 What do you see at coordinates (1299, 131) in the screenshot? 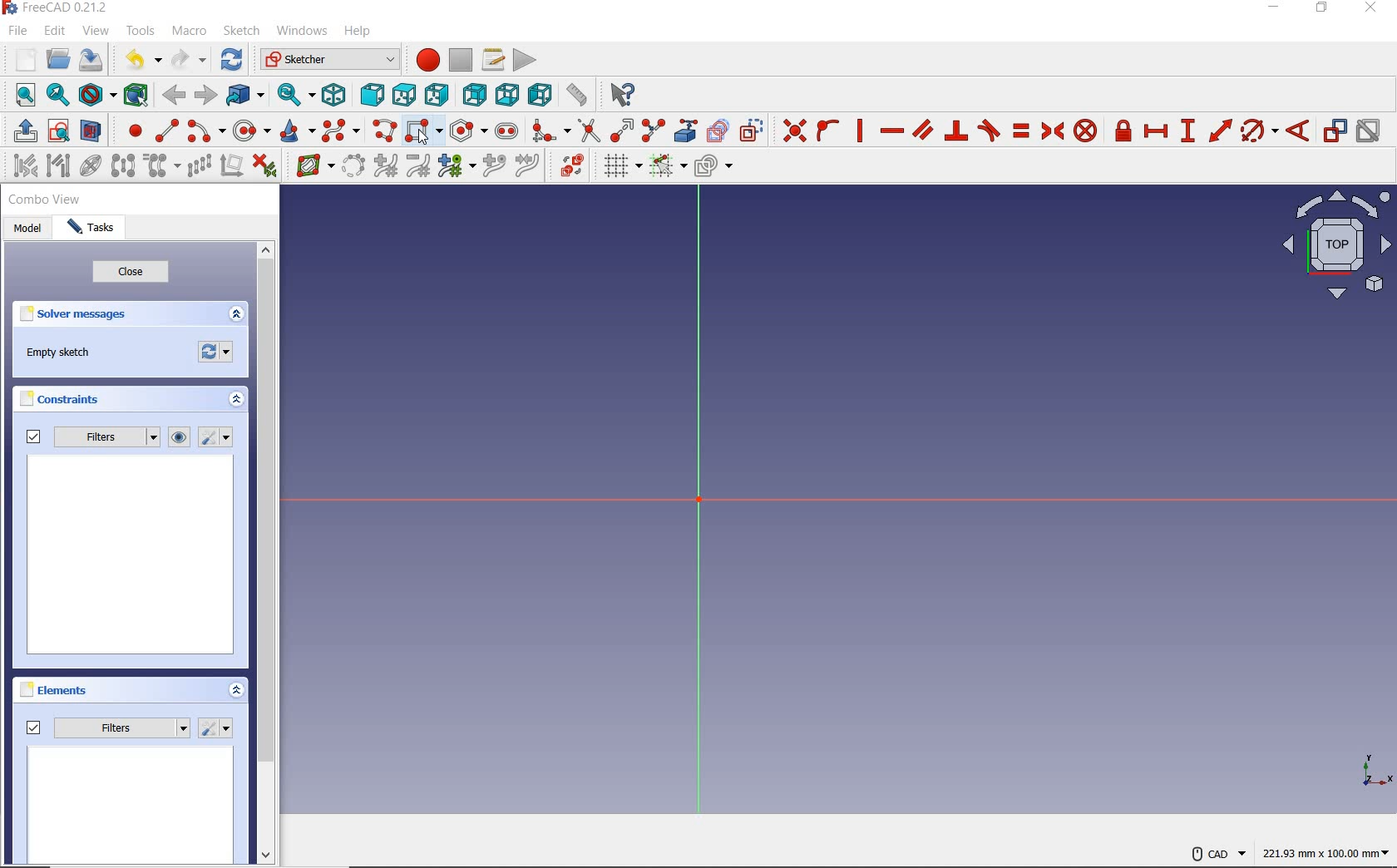
I see `constrain angle` at bounding box center [1299, 131].